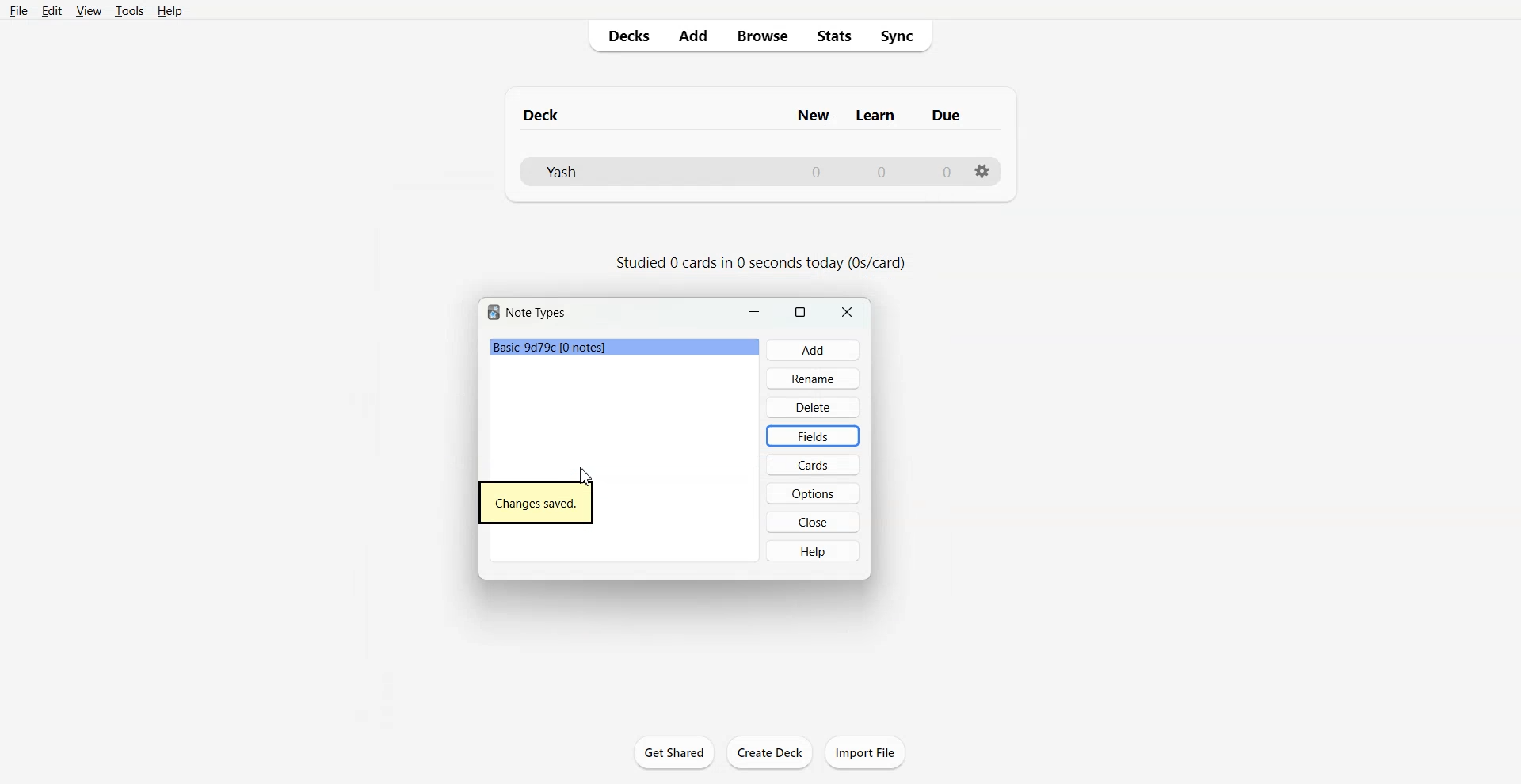 This screenshot has width=1521, height=784. What do you see at coordinates (754, 312) in the screenshot?
I see `Minimize` at bounding box center [754, 312].